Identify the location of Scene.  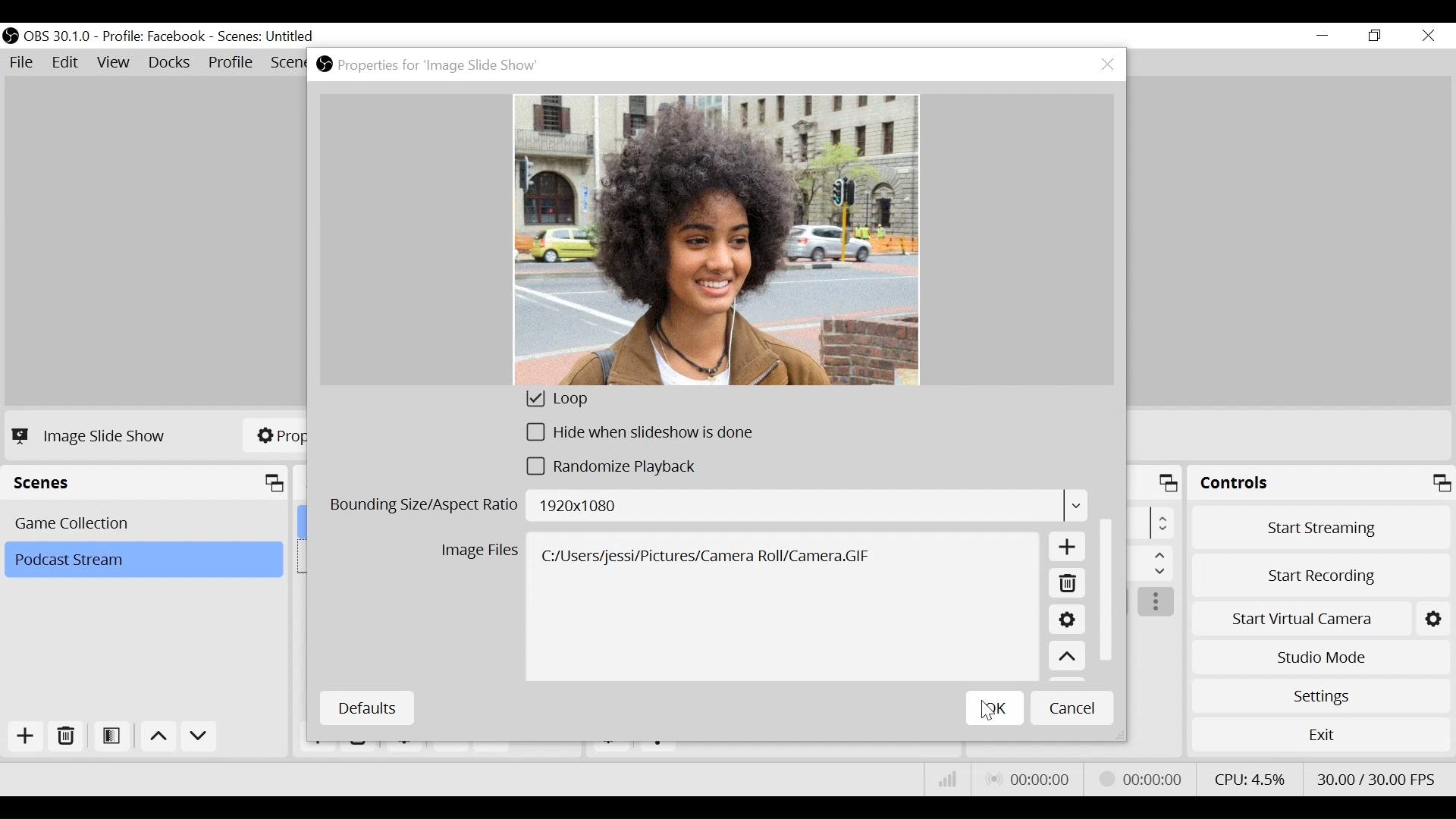
(268, 37).